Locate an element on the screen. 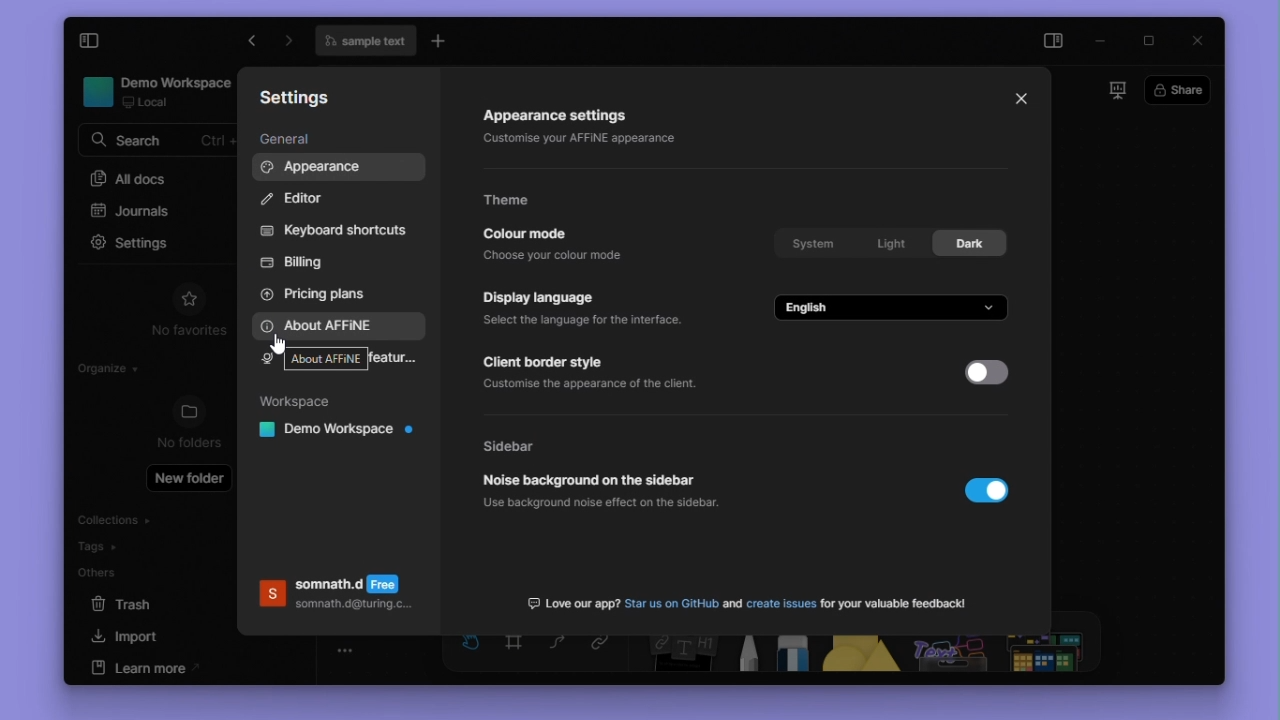 This screenshot has height=720, width=1280. go forward is located at coordinates (287, 43).